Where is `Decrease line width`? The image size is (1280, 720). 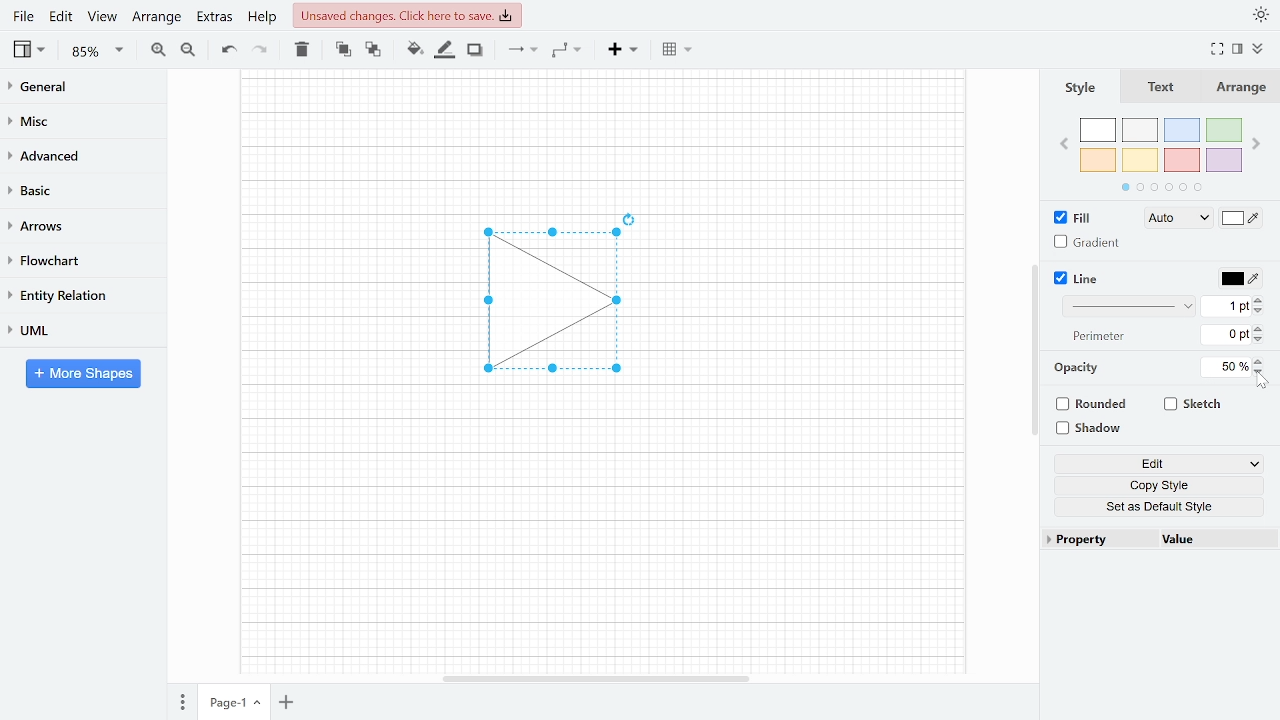 Decrease line width is located at coordinates (1261, 310).